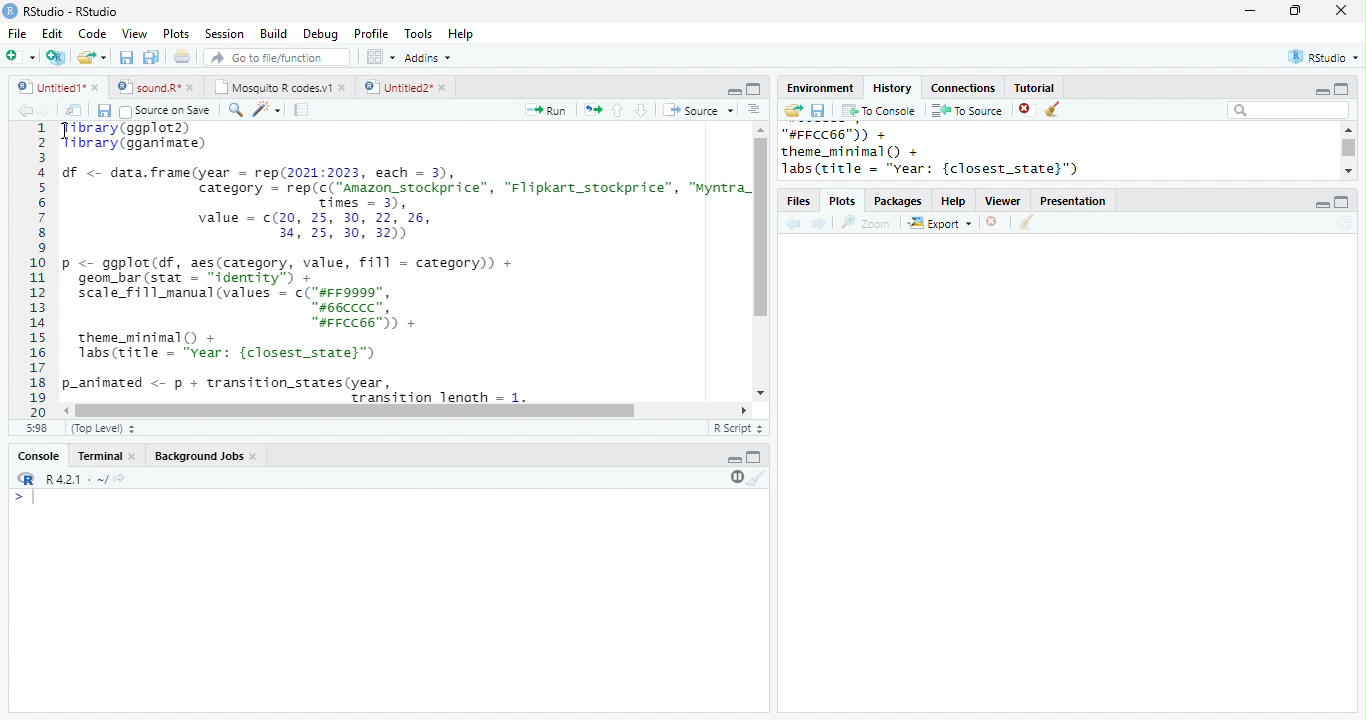  Describe the element at coordinates (98, 89) in the screenshot. I see `close` at that location.